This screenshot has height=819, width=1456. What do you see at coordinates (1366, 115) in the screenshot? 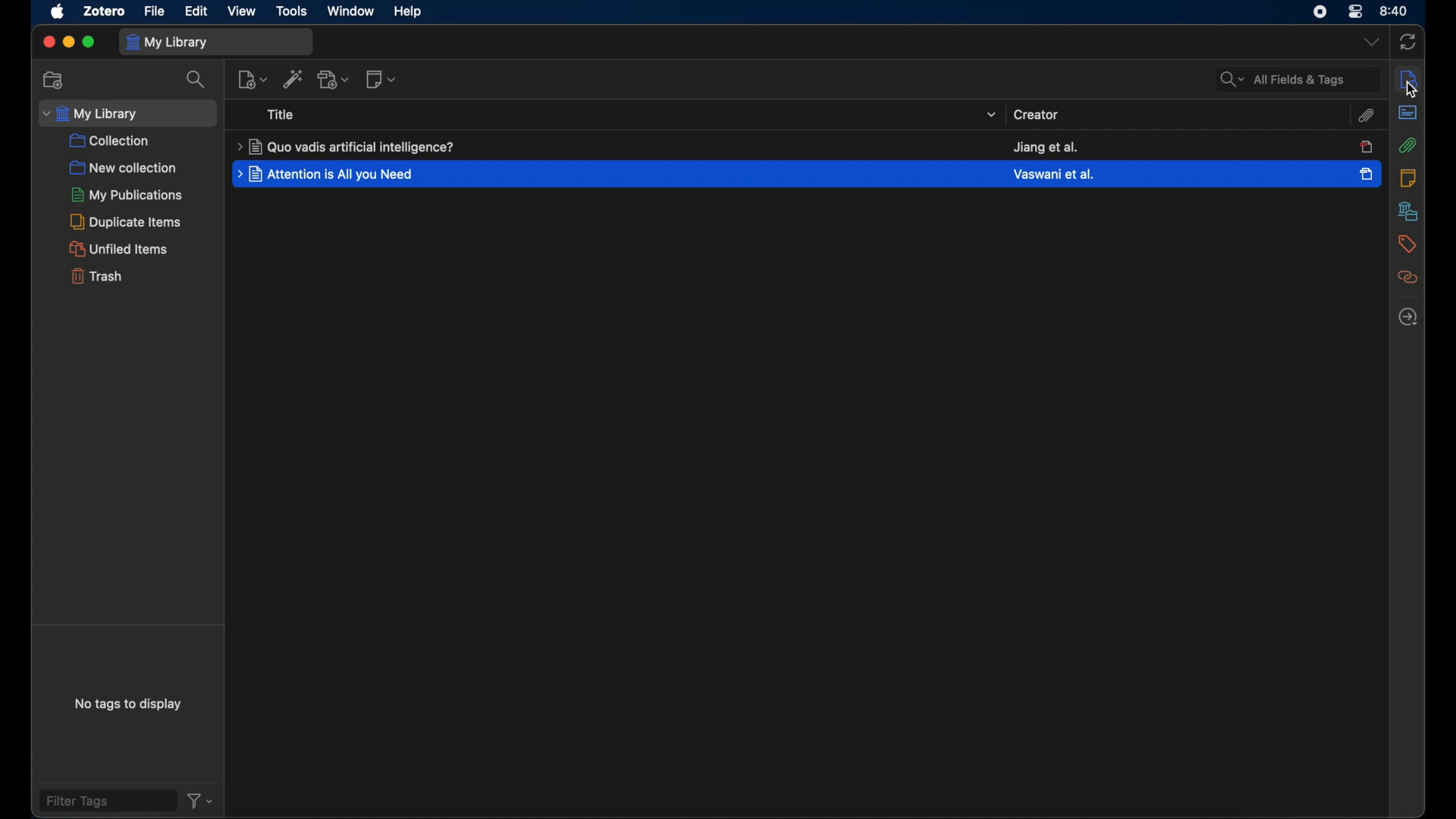
I see `attachment` at bounding box center [1366, 115].